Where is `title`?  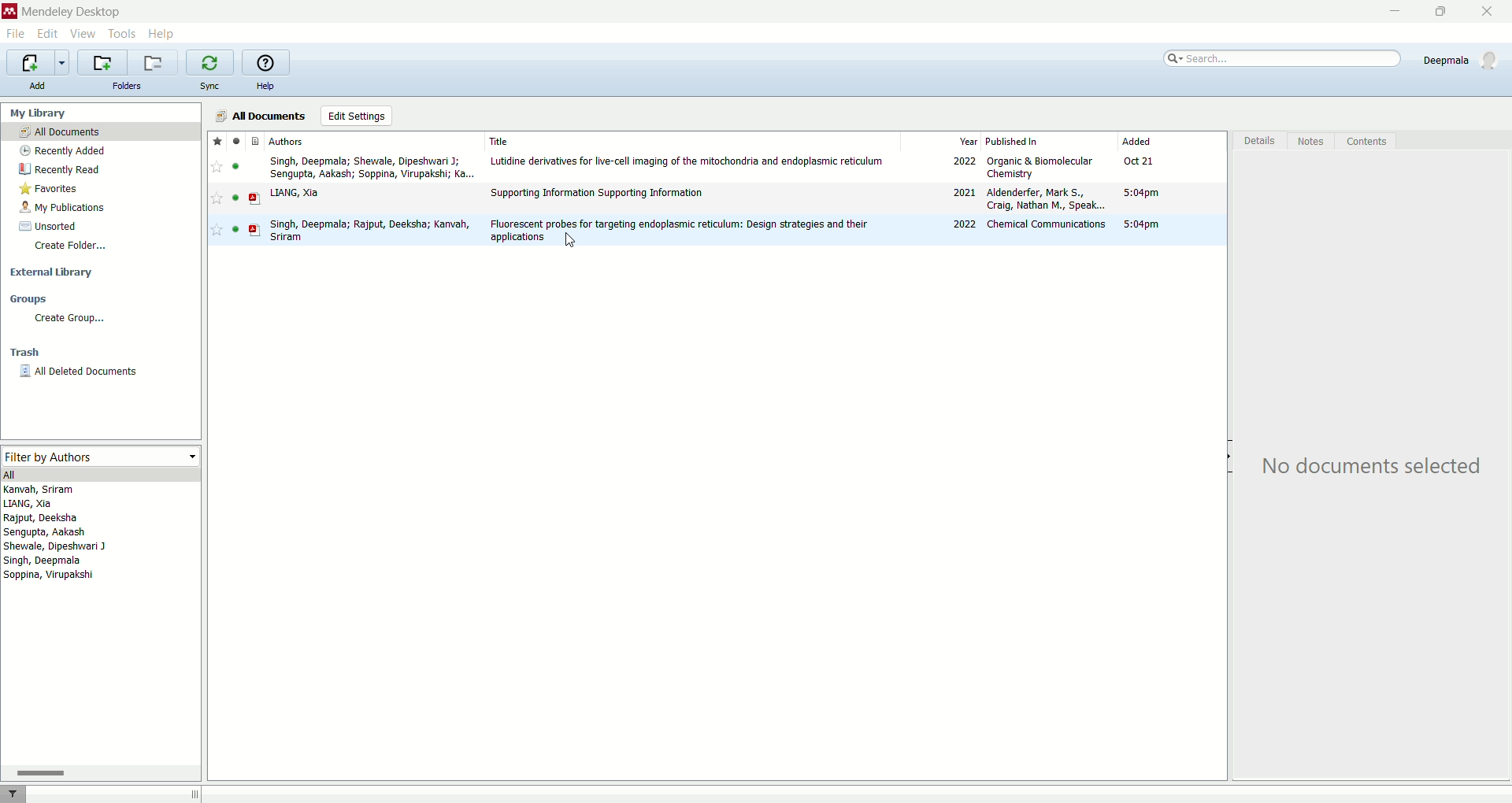 title is located at coordinates (687, 139).